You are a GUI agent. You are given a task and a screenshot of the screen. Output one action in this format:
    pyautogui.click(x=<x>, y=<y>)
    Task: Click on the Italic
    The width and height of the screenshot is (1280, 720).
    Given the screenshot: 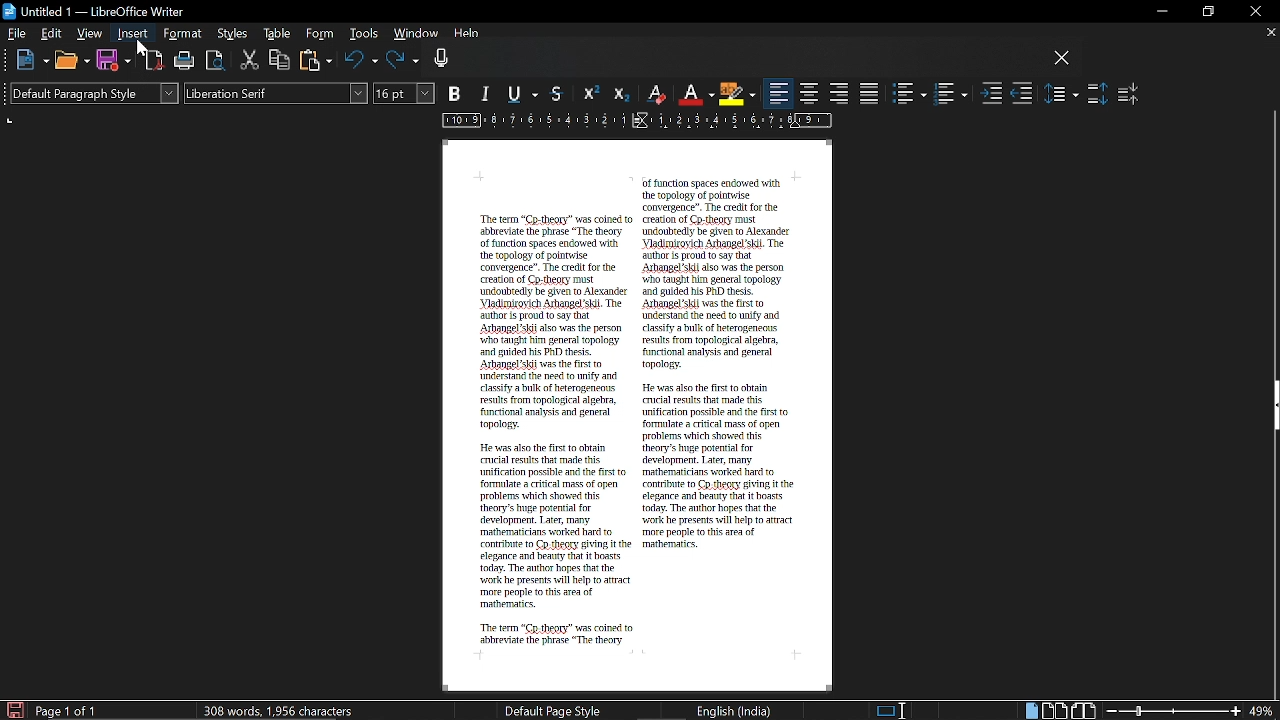 What is the action you would take?
    pyautogui.click(x=487, y=95)
    